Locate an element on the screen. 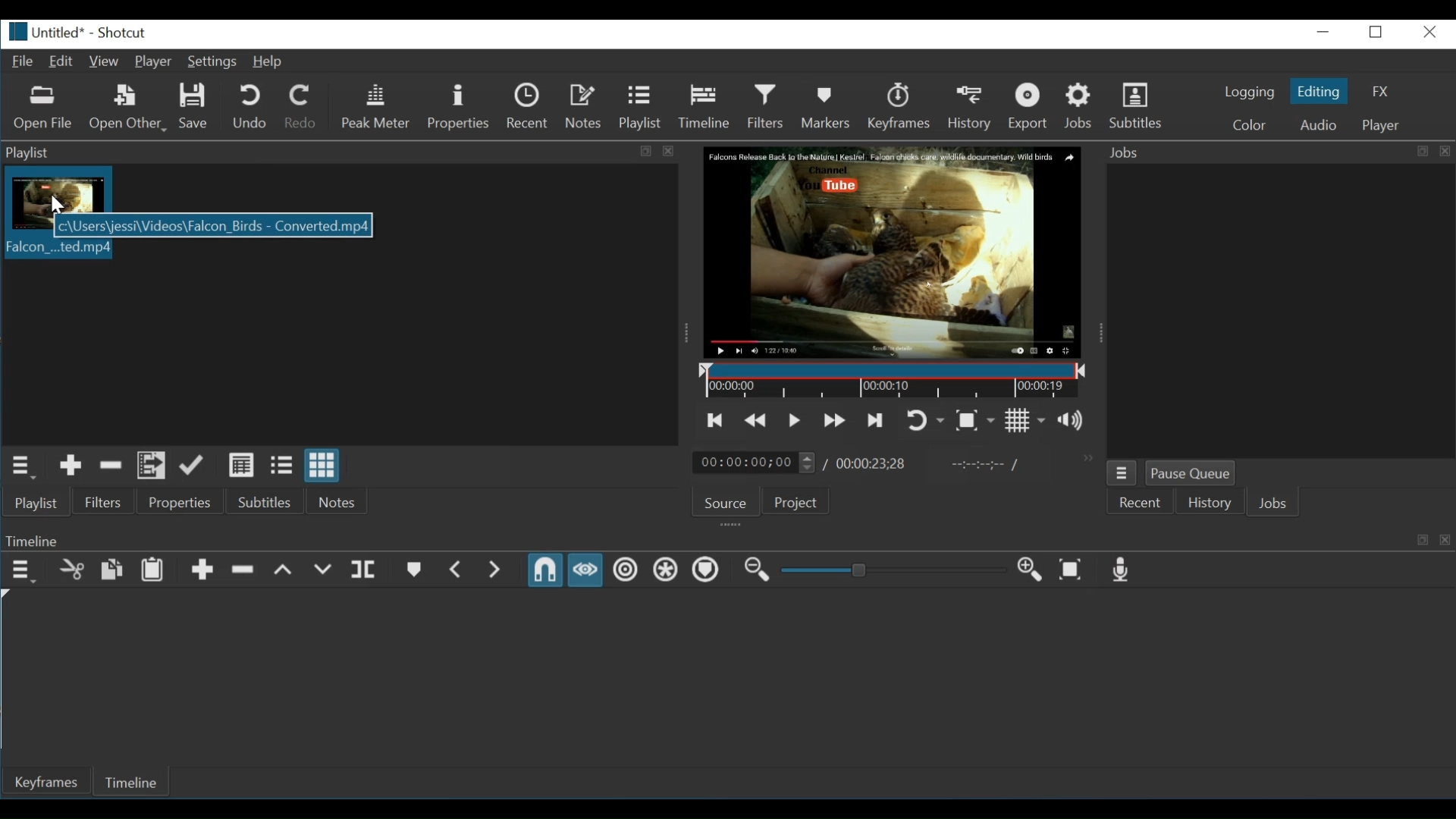  File is located at coordinates (20, 60).